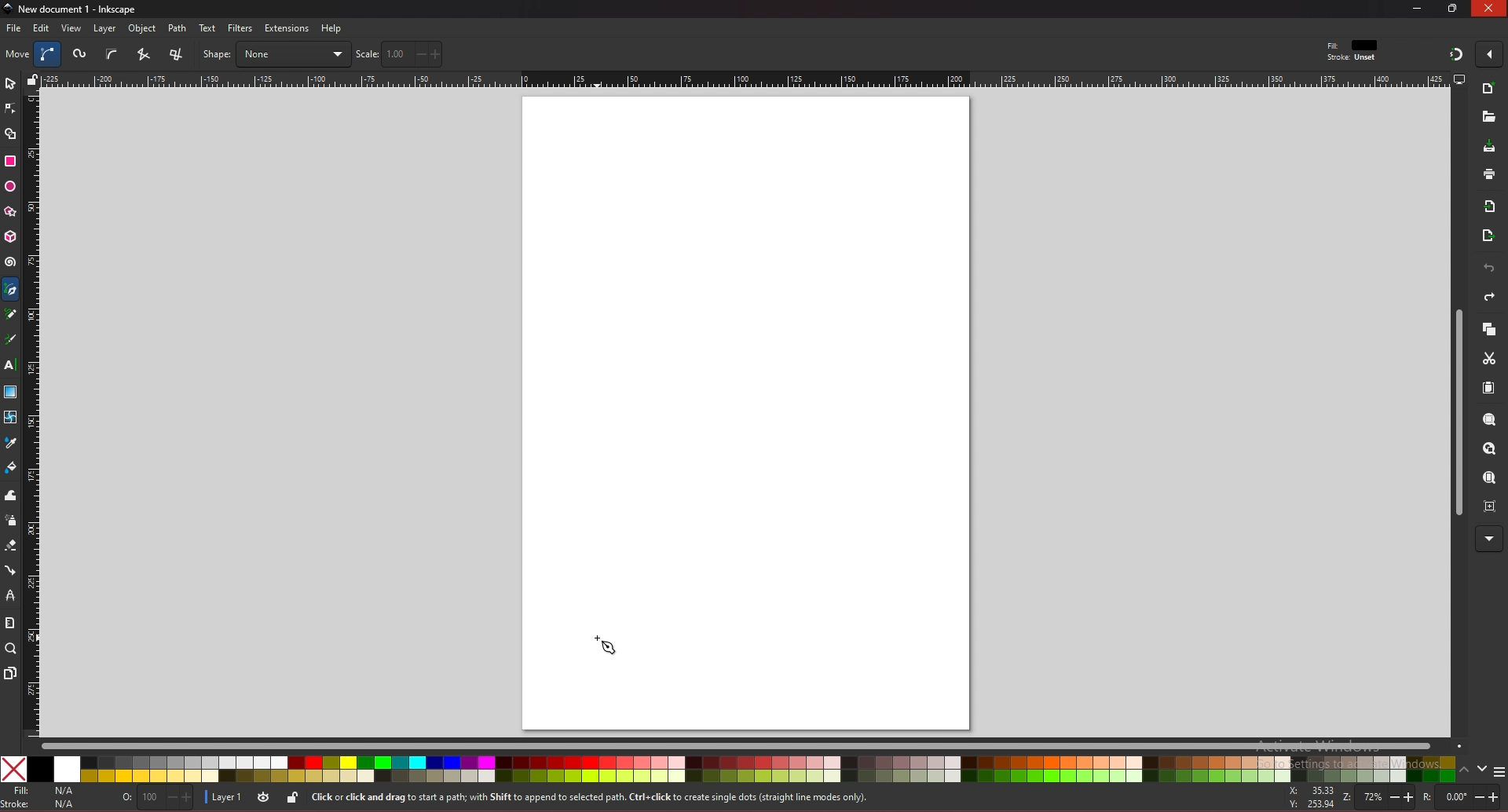  I want to click on page, so click(745, 411).